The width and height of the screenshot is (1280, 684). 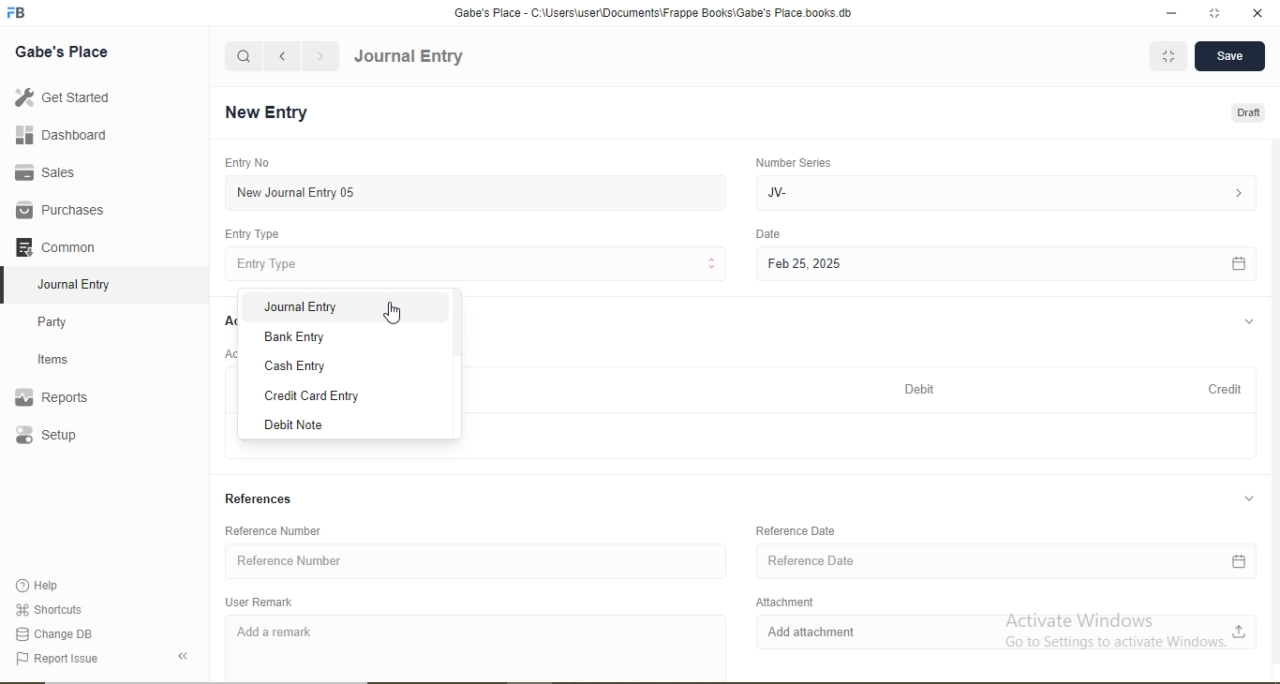 I want to click on New Entry, so click(x=272, y=113).